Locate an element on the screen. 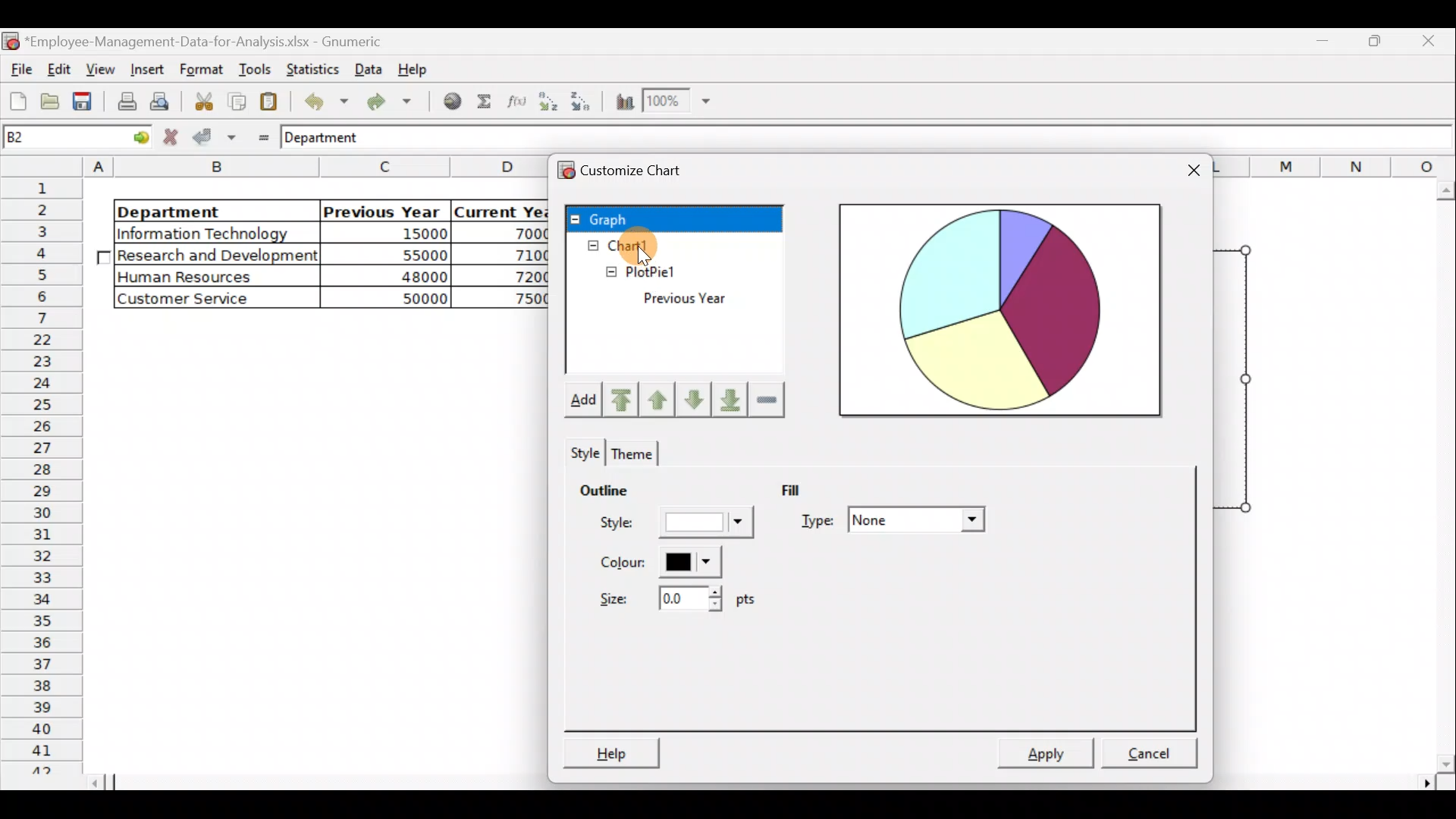 The image size is (1456, 819). Format is located at coordinates (199, 70).